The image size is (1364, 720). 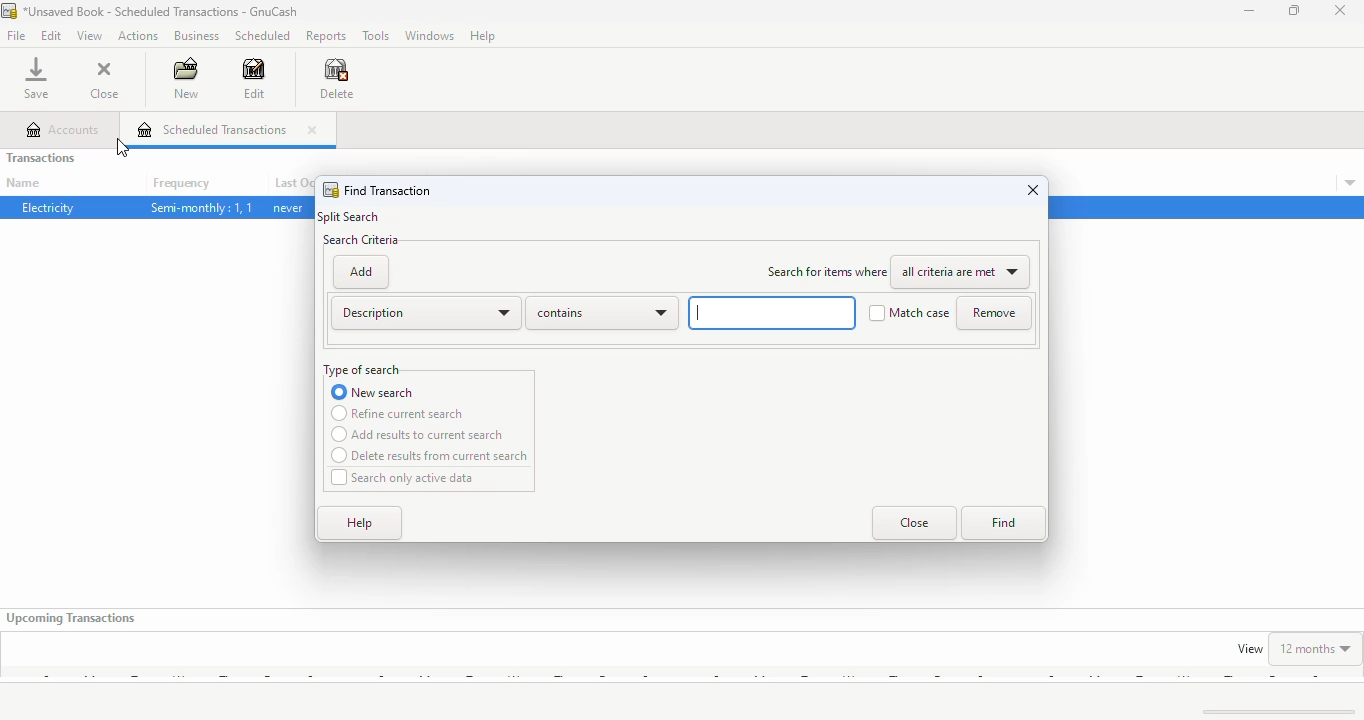 I want to click on remove, so click(x=994, y=313).